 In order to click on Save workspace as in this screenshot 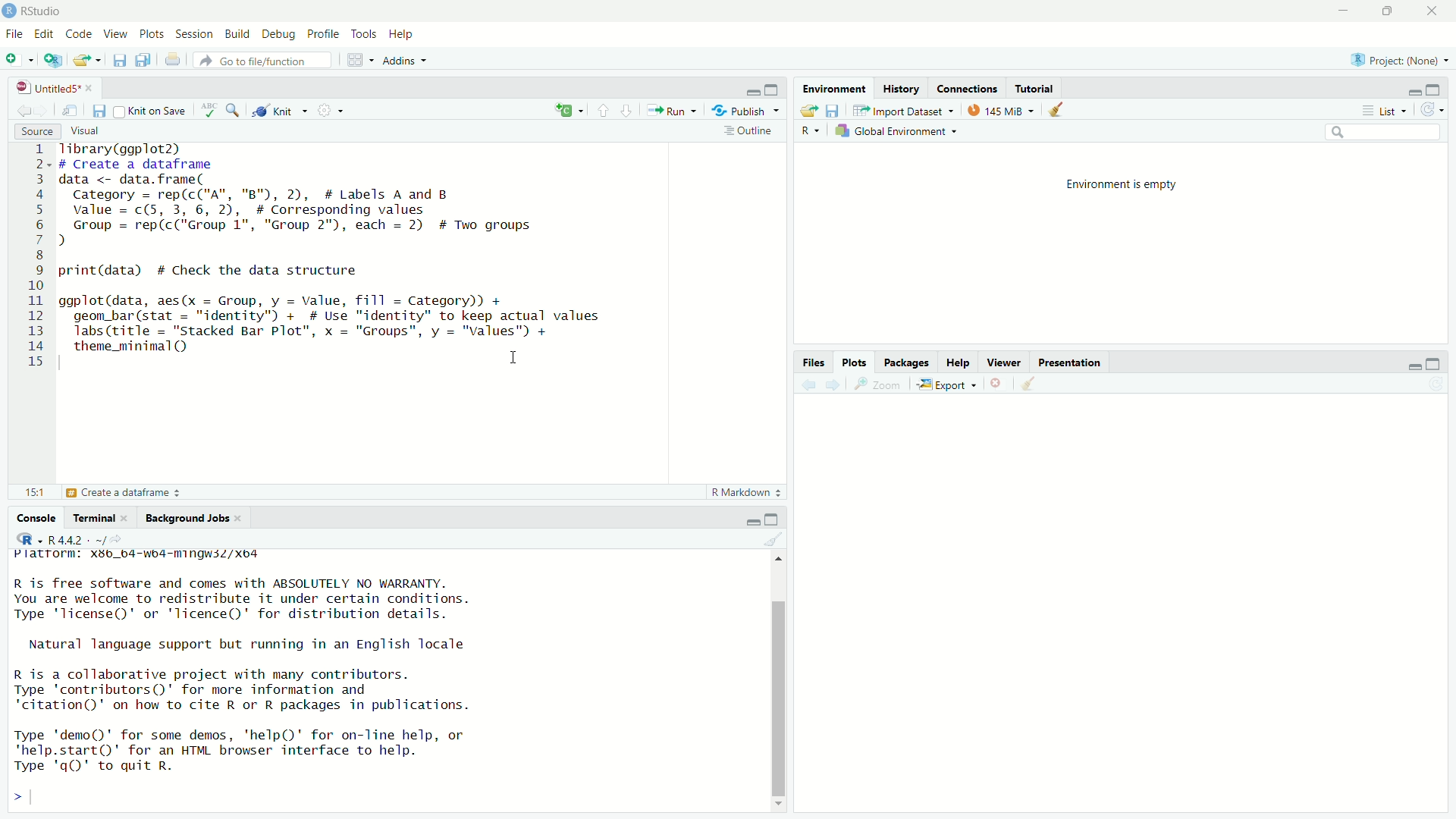, I will do `click(834, 111)`.